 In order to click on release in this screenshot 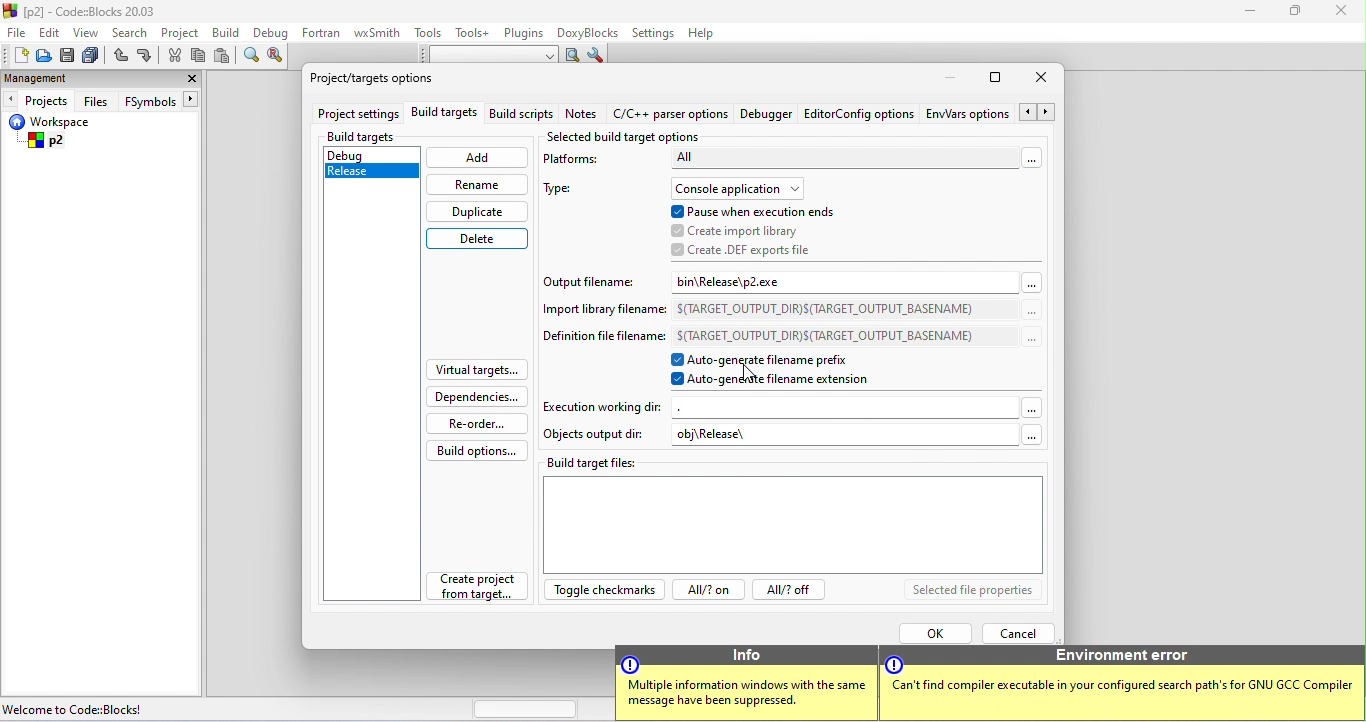, I will do `click(363, 170)`.